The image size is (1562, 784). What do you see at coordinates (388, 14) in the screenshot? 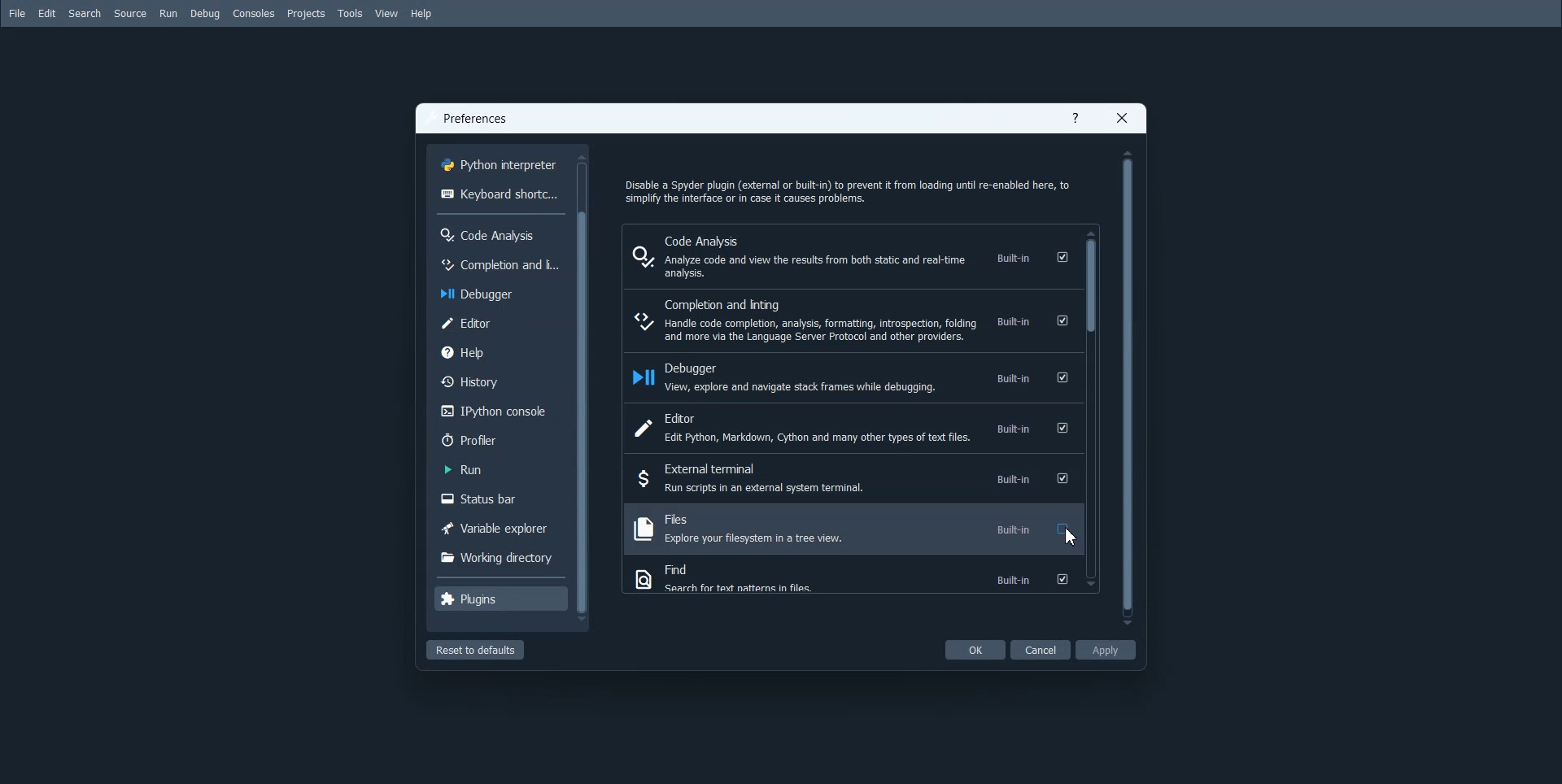
I see `View` at bounding box center [388, 14].